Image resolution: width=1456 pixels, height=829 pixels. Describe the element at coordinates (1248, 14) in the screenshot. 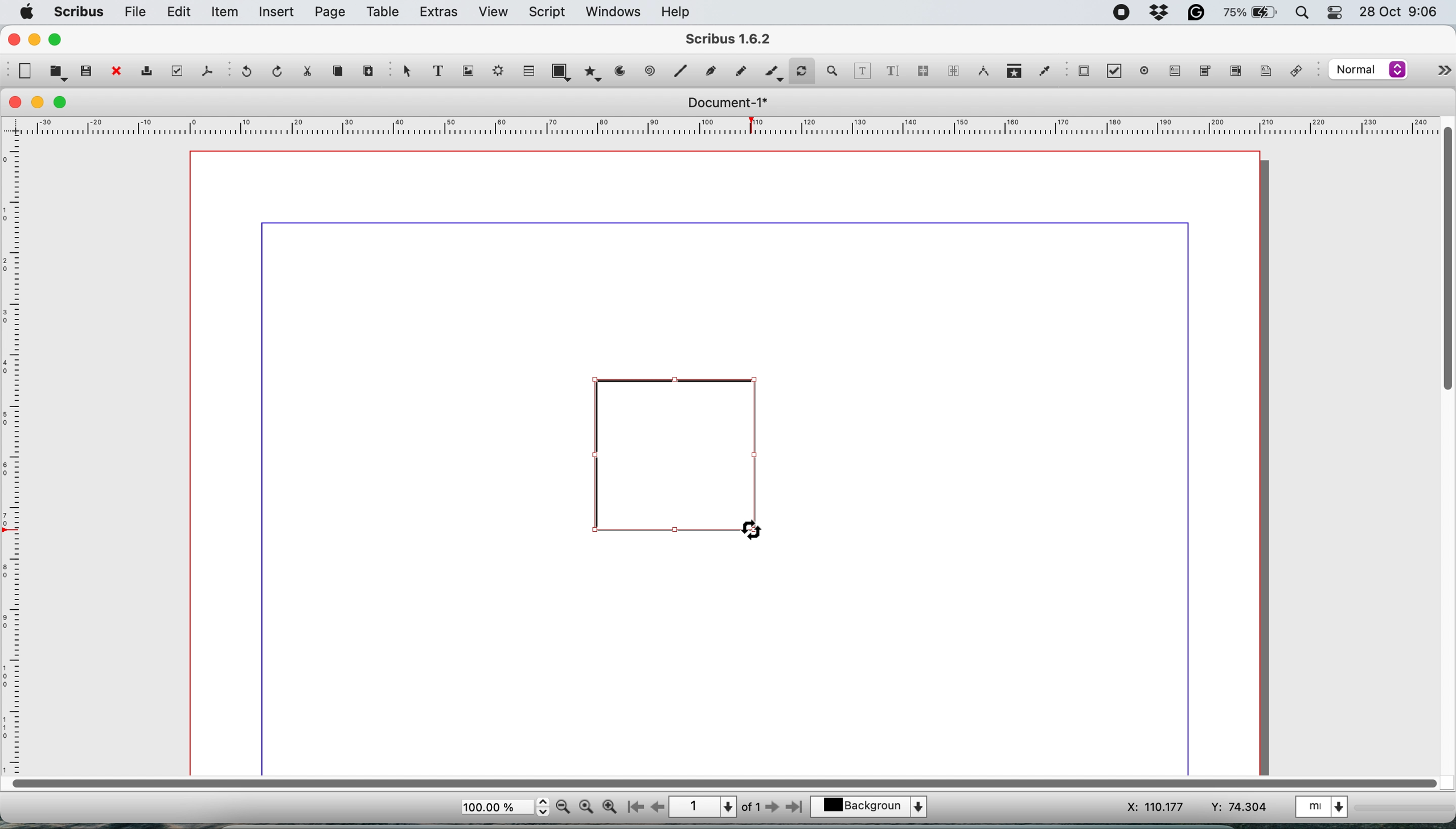

I see `battery` at that location.